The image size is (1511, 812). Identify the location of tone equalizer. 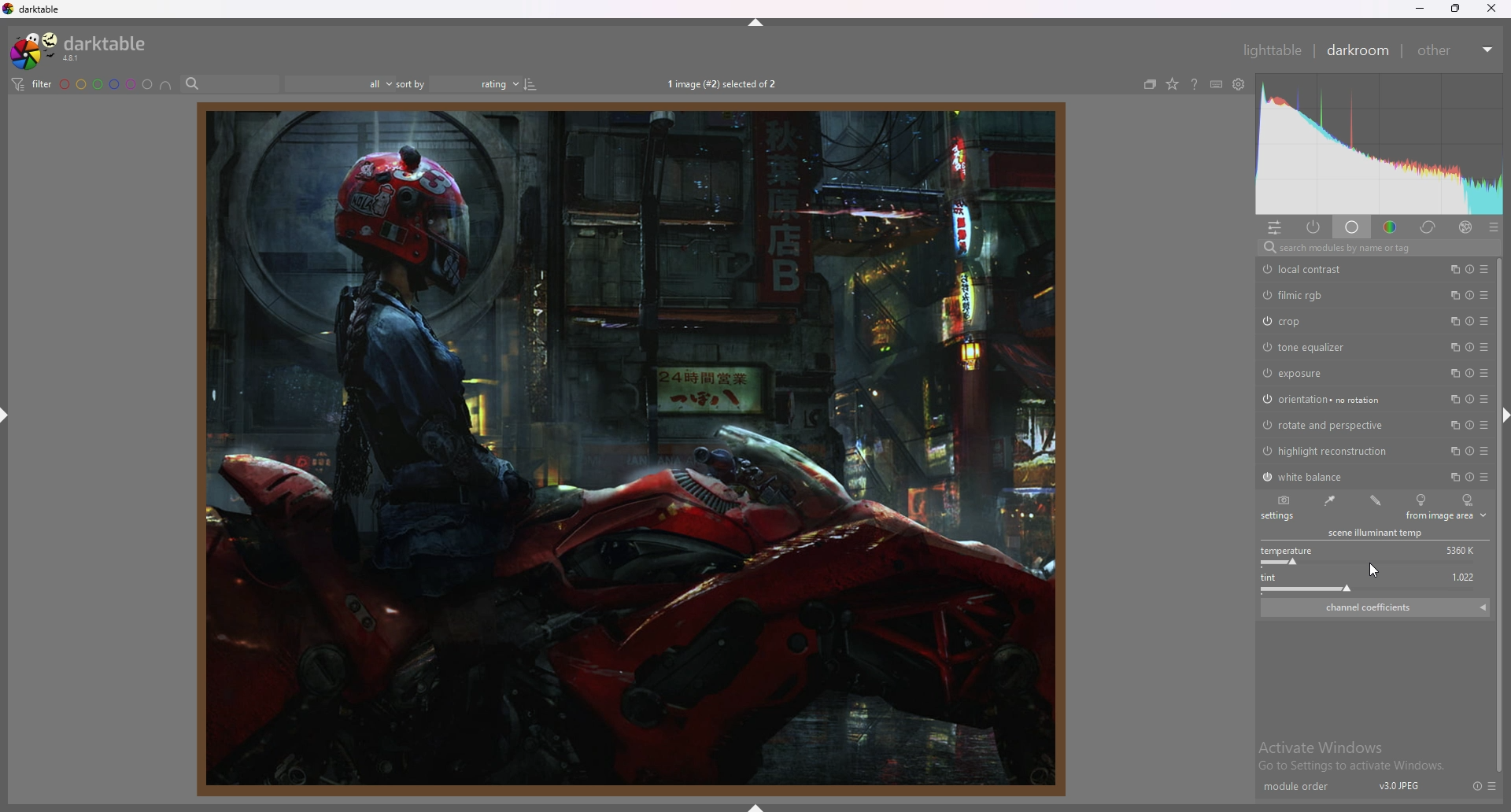
(1316, 347).